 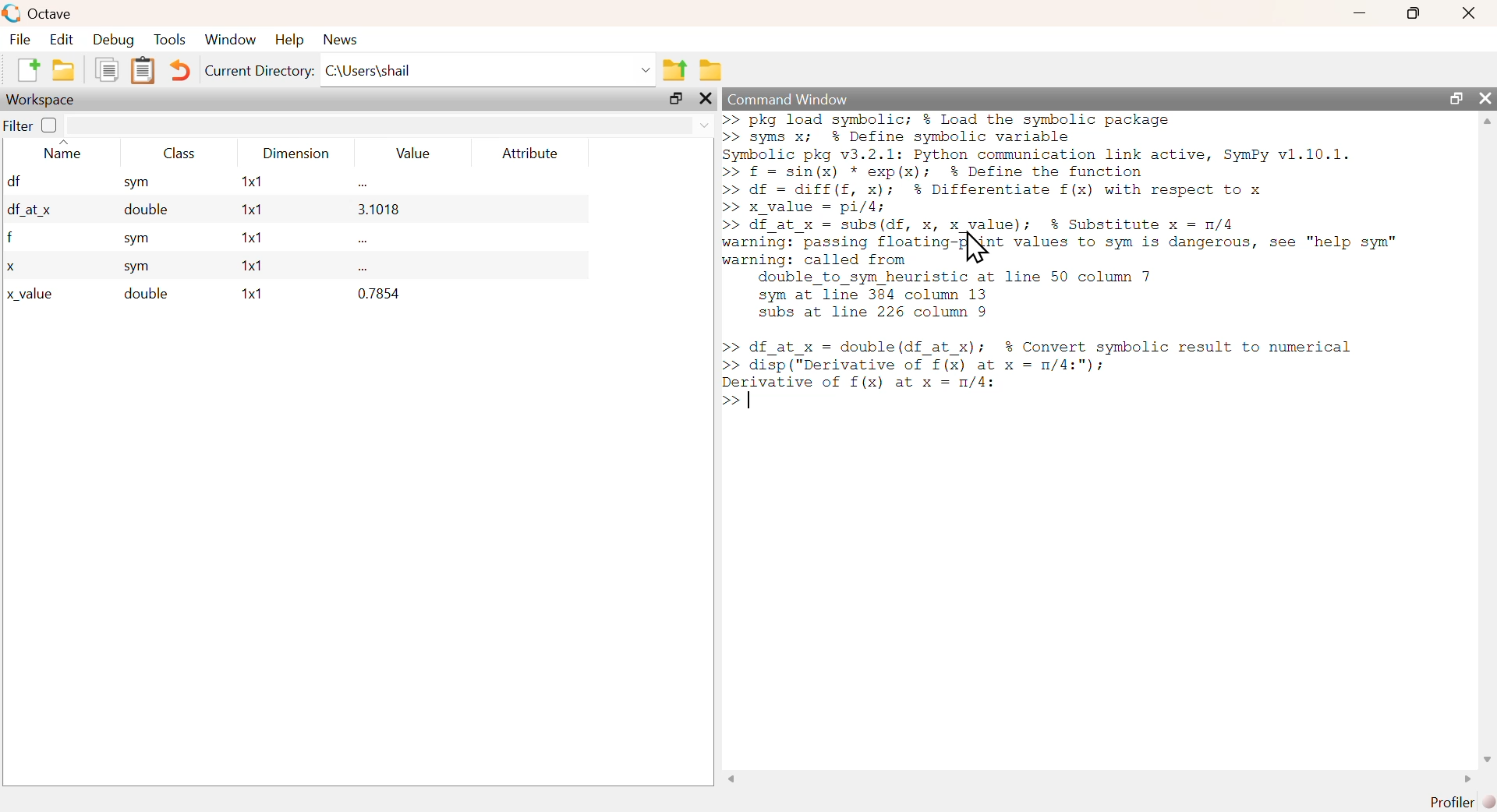 What do you see at coordinates (30, 125) in the screenshot?
I see `Filter` at bounding box center [30, 125].